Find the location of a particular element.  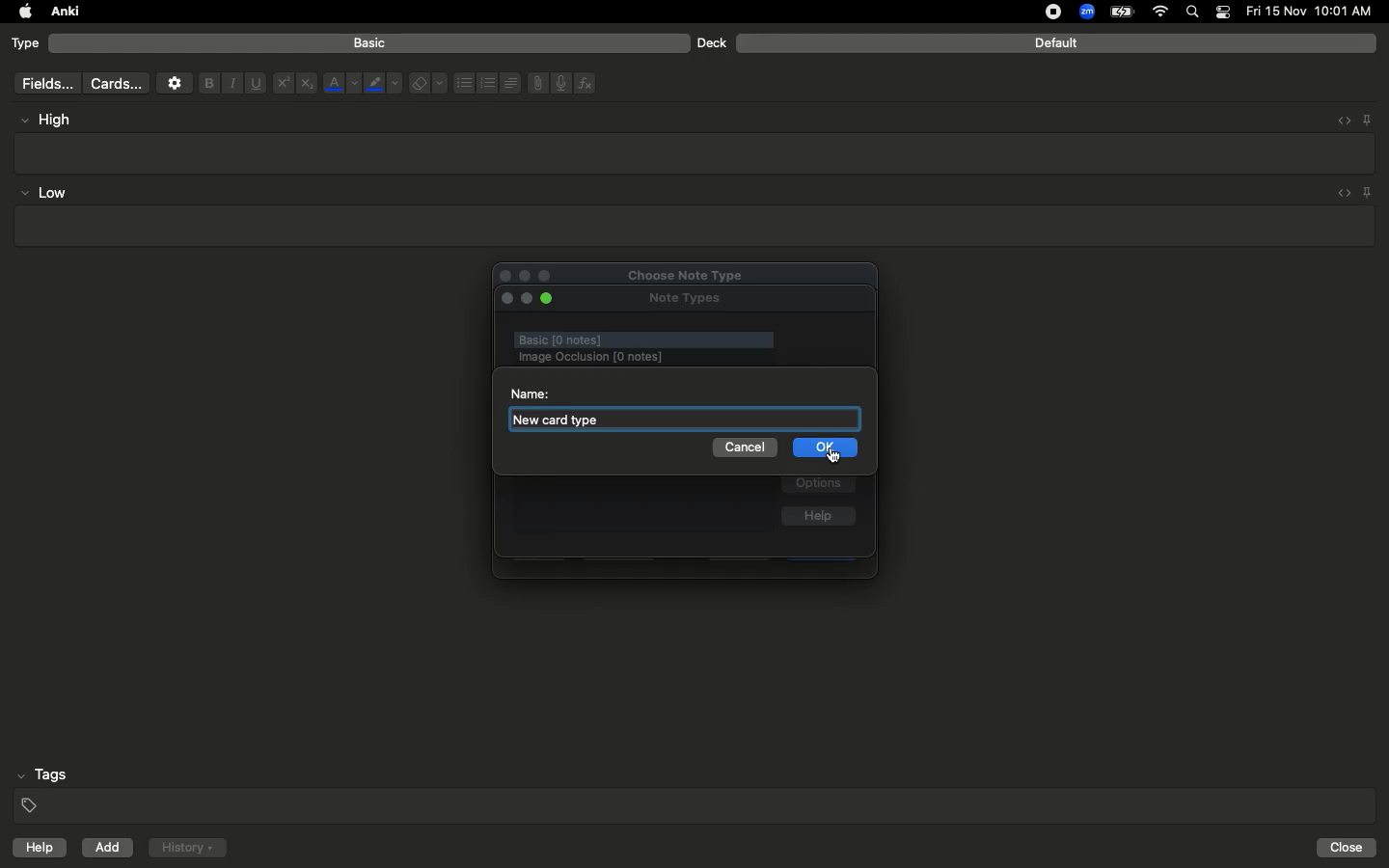

Bold is located at coordinates (207, 82).